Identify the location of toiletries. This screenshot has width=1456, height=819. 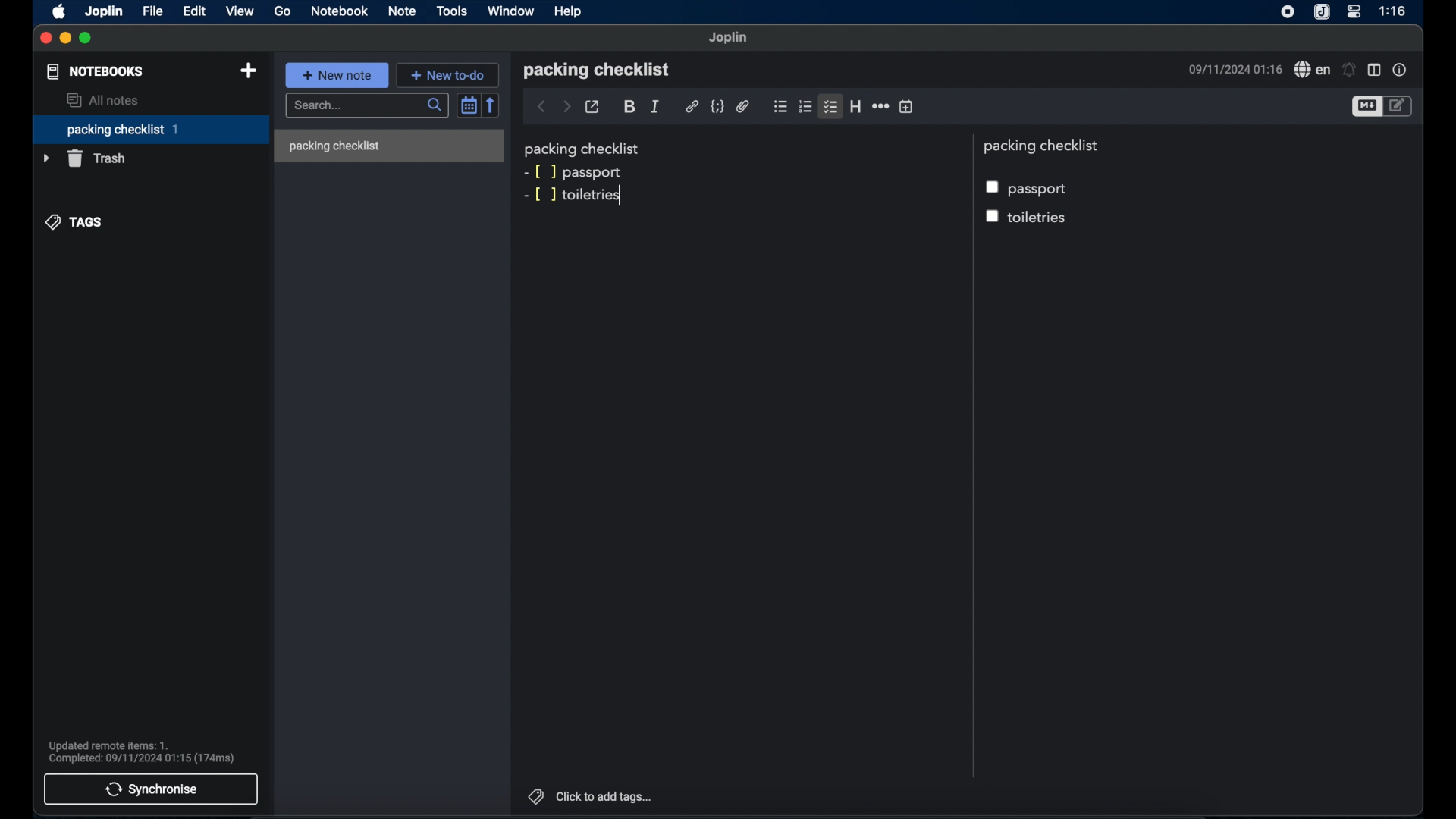
(1029, 218).